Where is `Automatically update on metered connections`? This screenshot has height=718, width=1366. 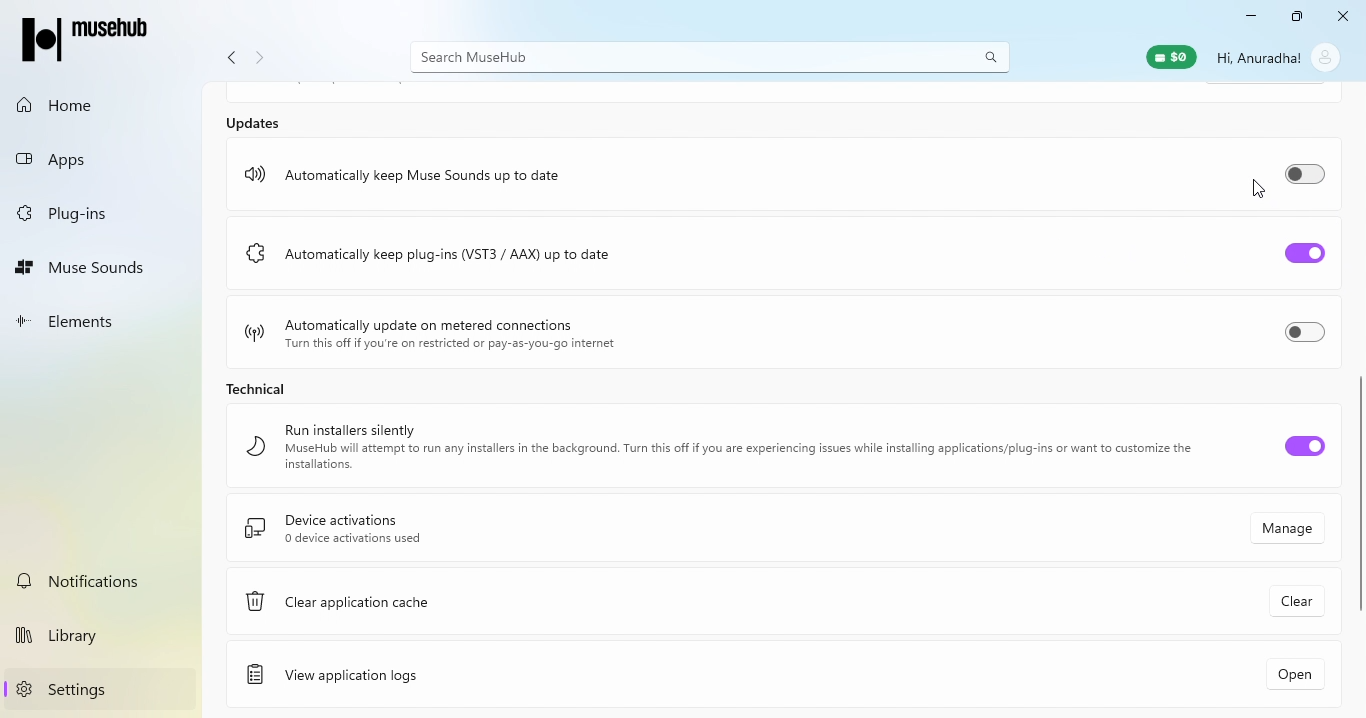
Automatically update on metered connections is located at coordinates (445, 334).